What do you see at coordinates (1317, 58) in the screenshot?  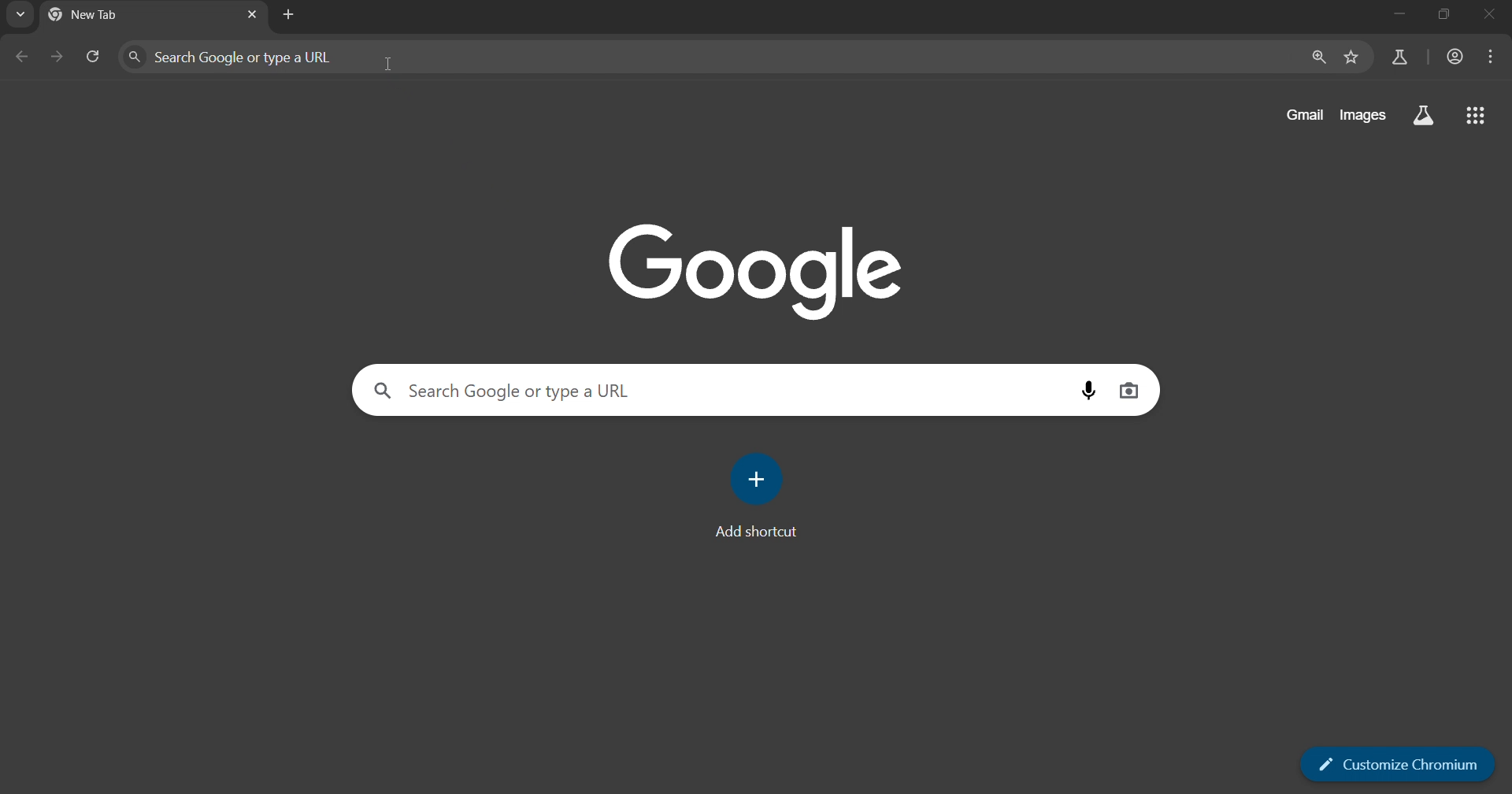 I see `zoom` at bounding box center [1317, 58].